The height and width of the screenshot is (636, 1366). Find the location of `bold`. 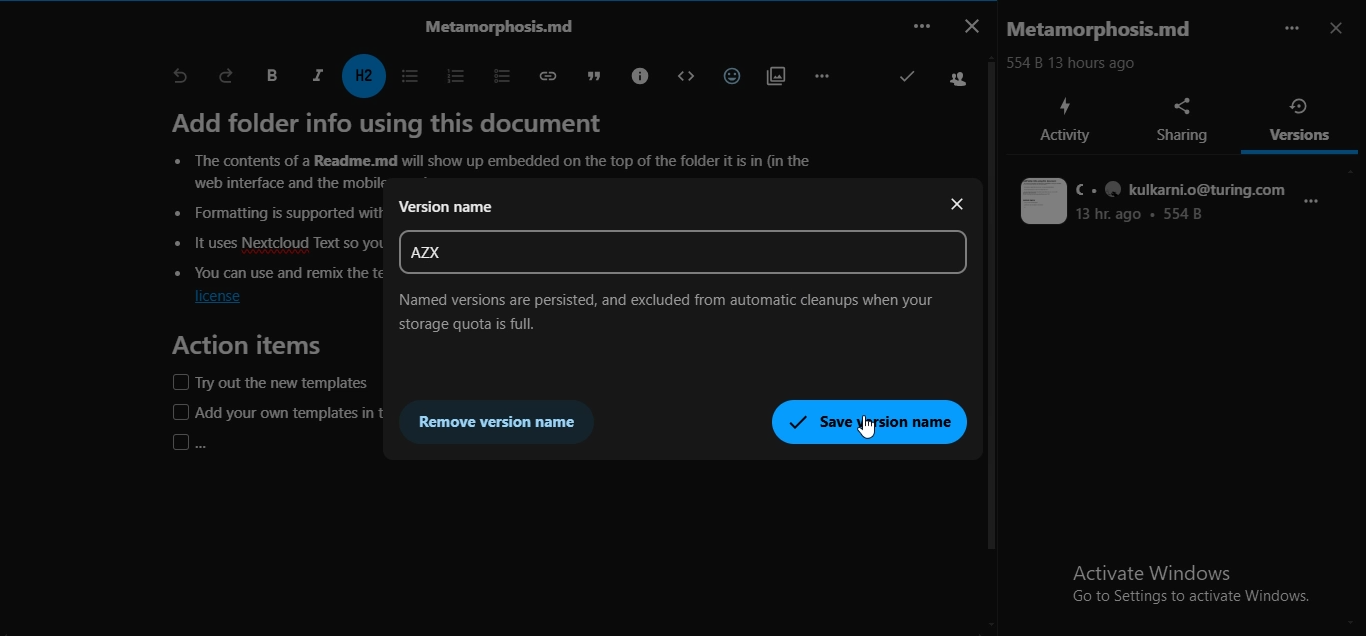

bold is located at coordinates (271, 76).